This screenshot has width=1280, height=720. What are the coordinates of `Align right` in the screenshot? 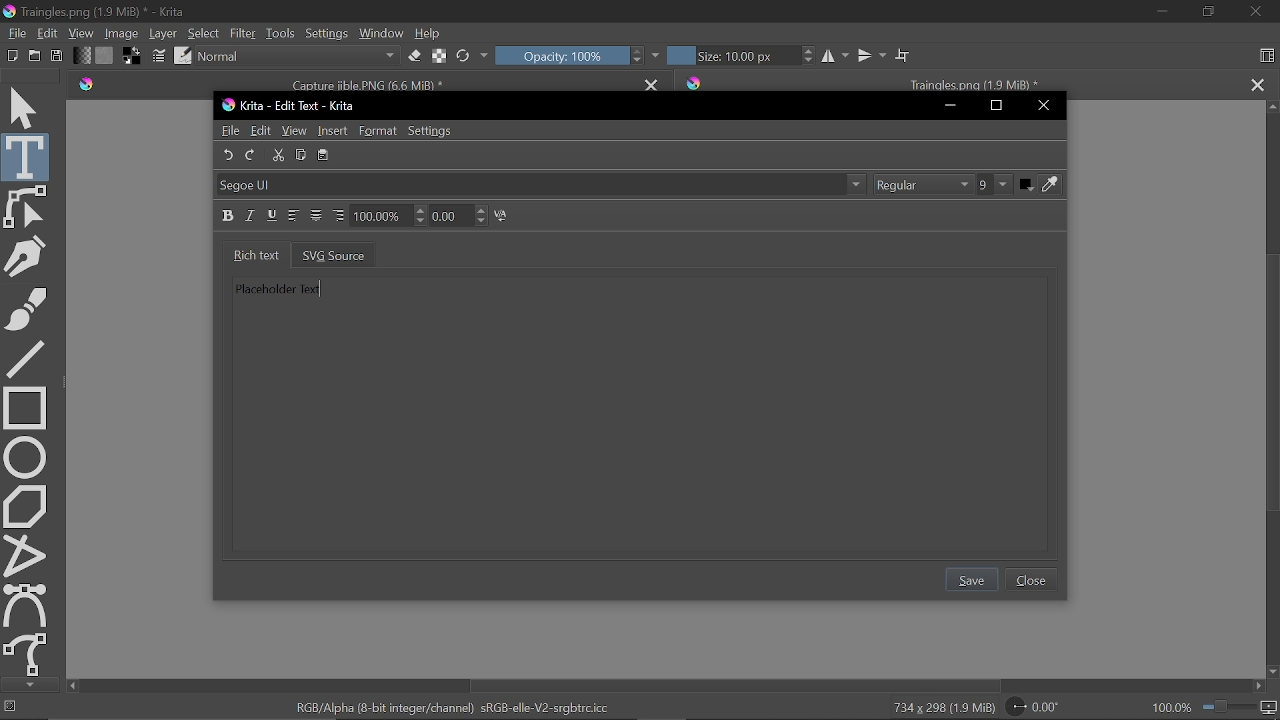 It's located at (337, 215).